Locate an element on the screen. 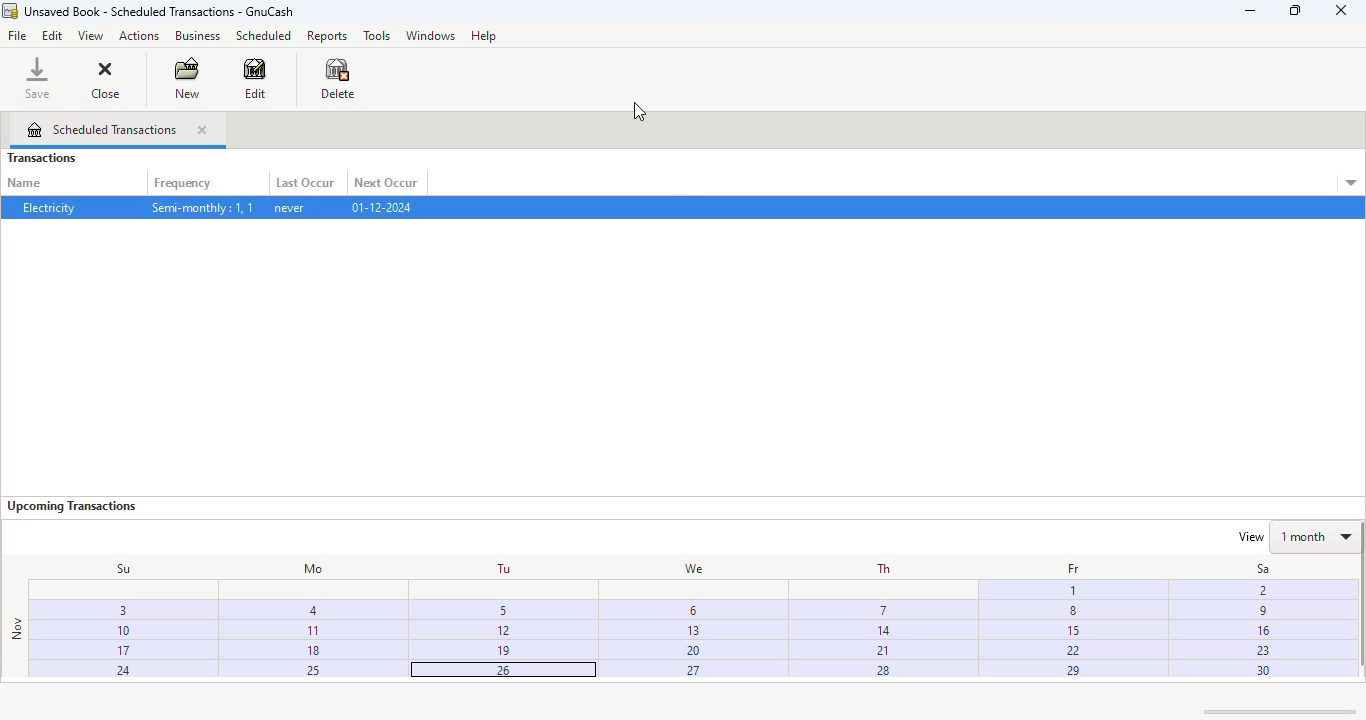 This screenshot has width=1366, height=720. 25 is located at coordinates (302, 670).